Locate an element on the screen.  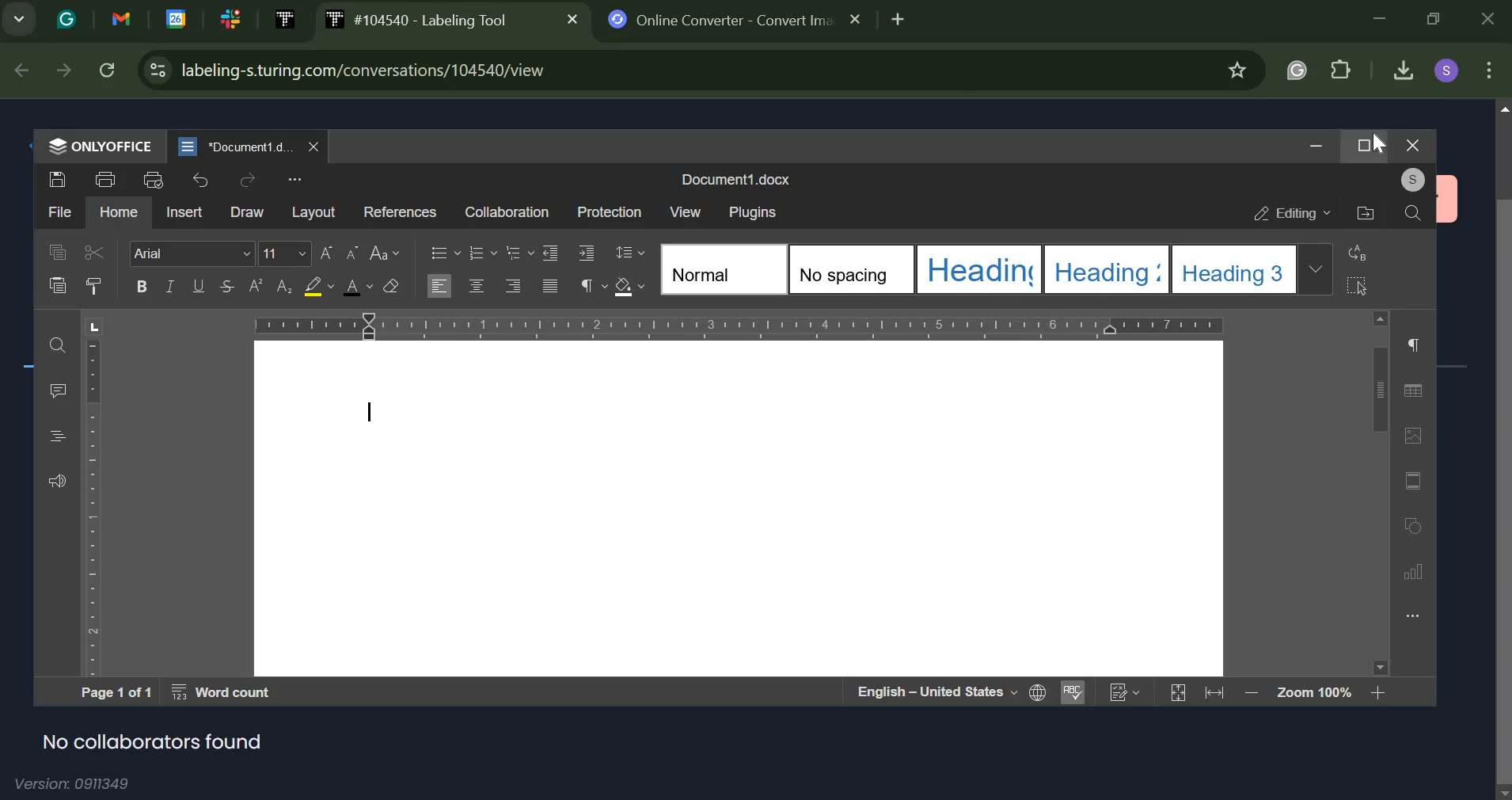
logo is located at coordinates (231, 18).